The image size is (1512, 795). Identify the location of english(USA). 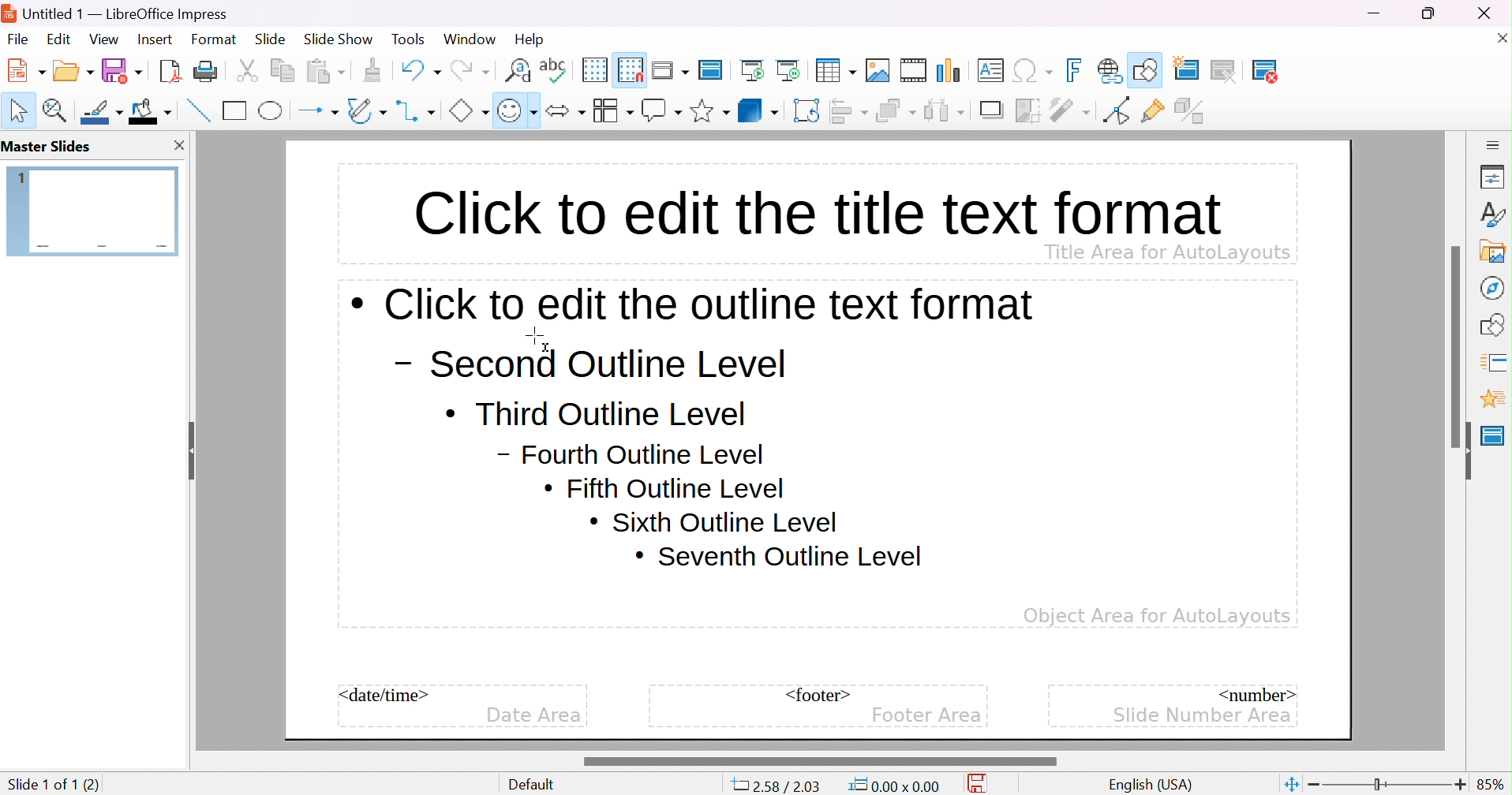
(1151, 785).